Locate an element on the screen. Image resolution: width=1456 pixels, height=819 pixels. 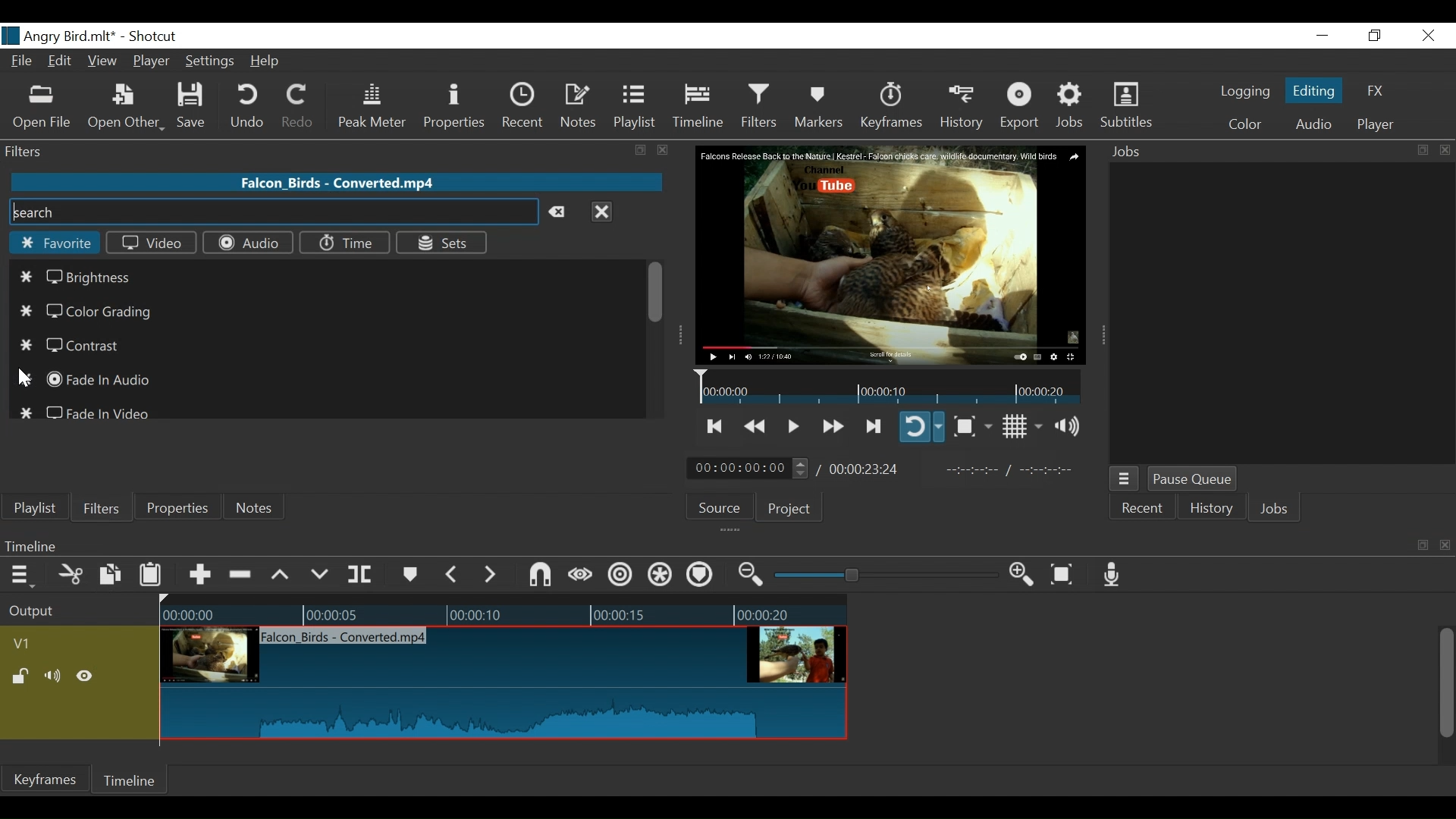
Settings is located at coordinates (211, 63).